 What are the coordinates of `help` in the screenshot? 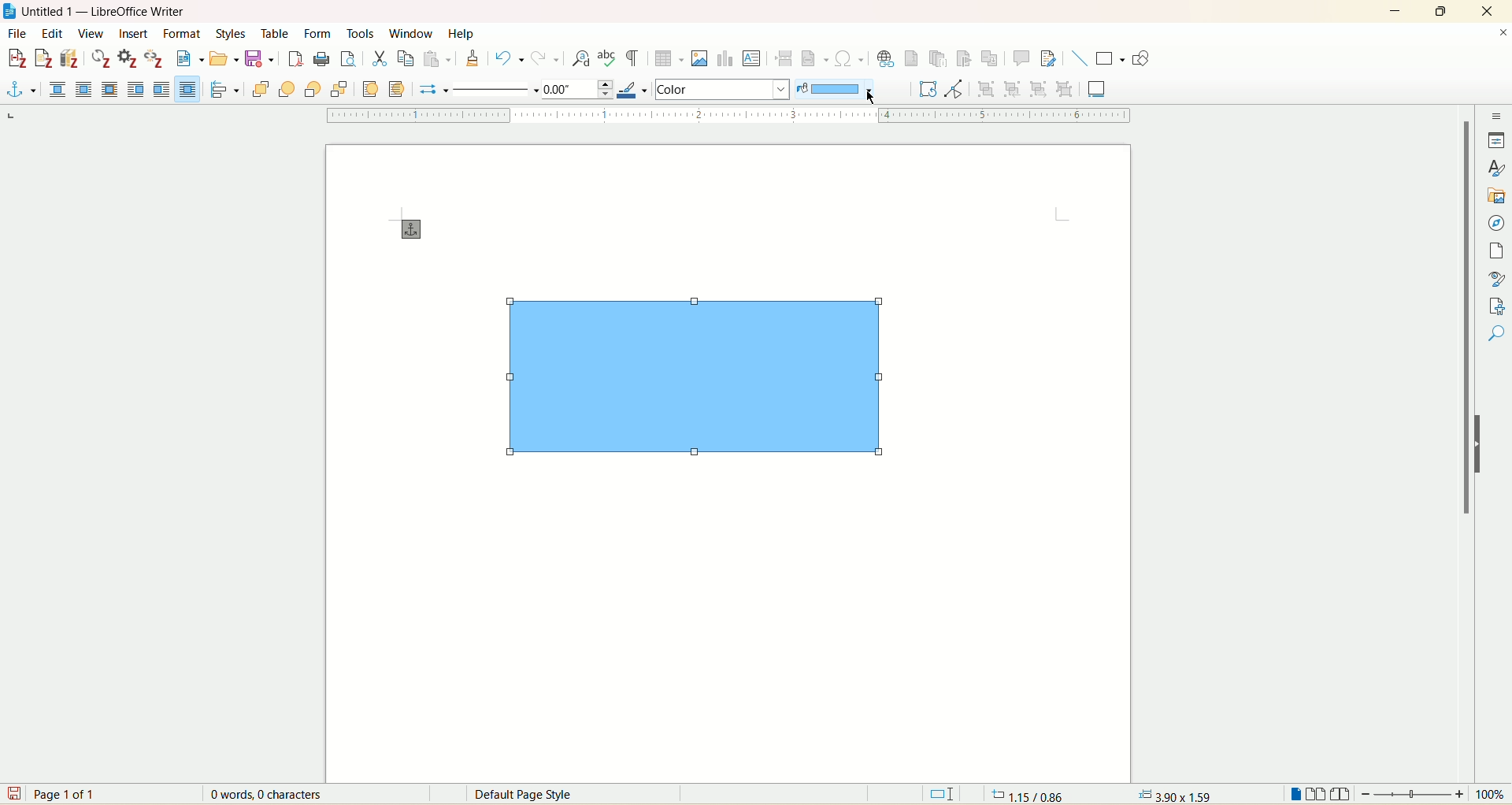 It's located at (460, 34).